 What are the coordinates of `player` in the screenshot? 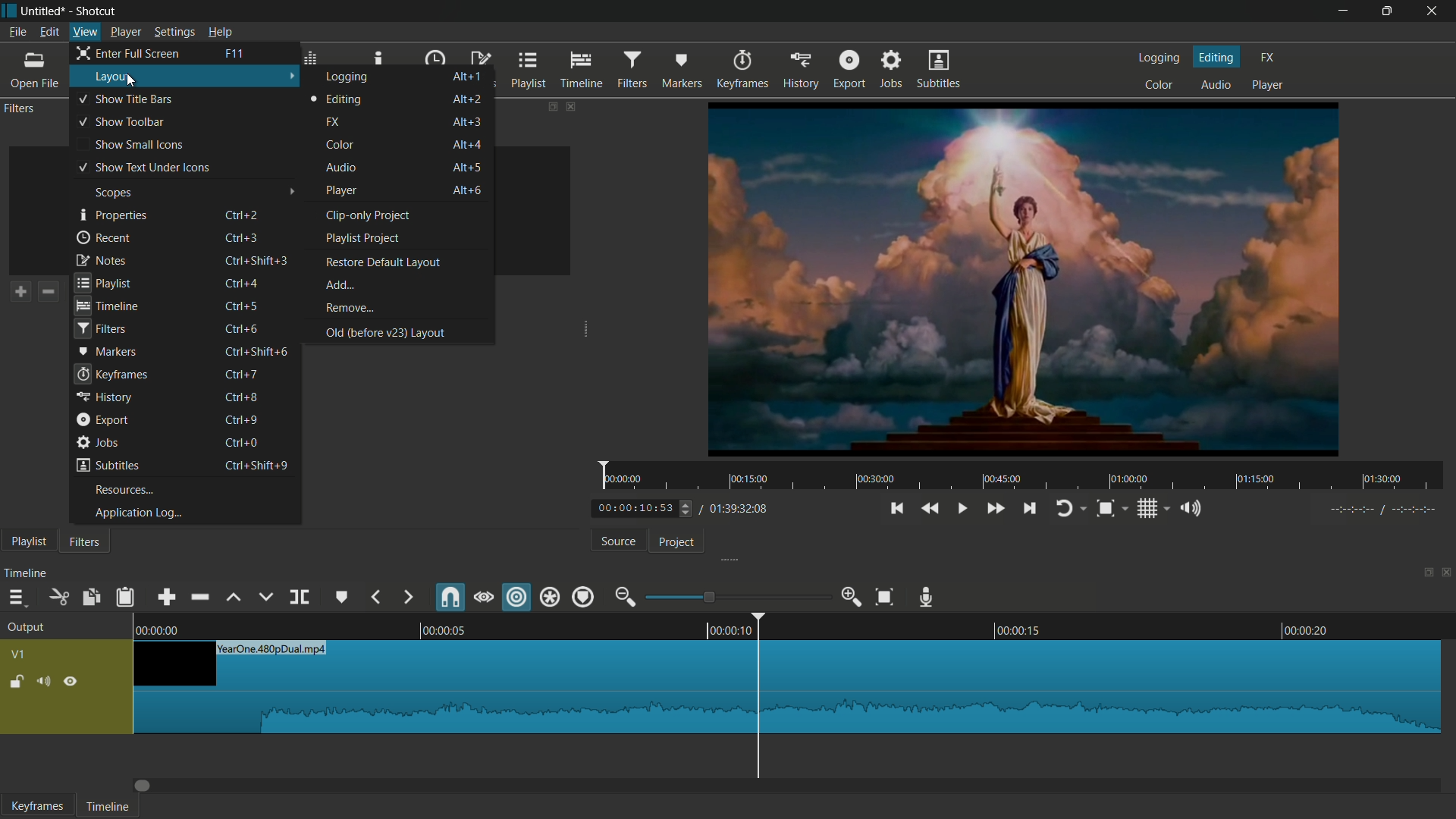 It's located at (1267, 84).